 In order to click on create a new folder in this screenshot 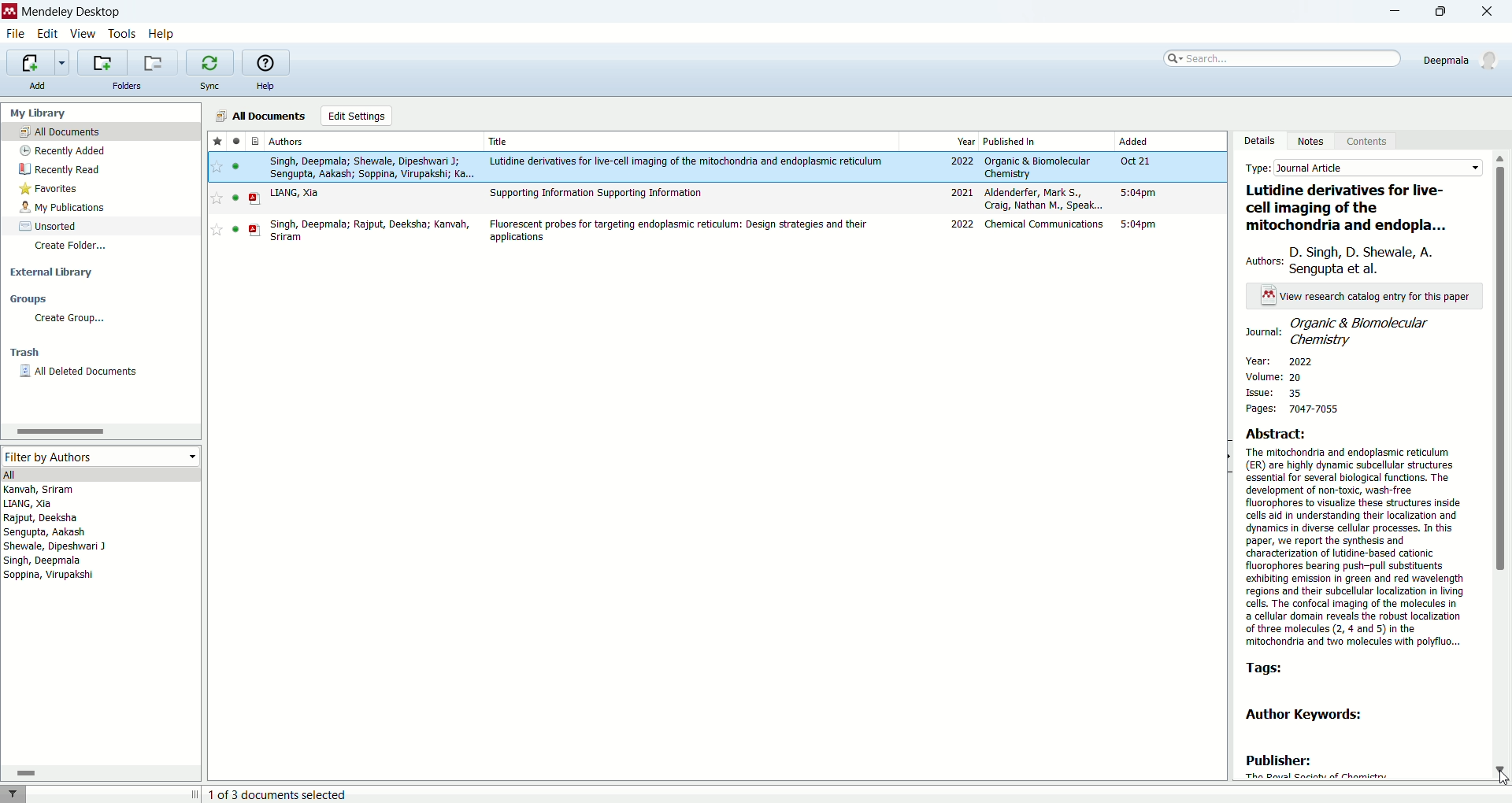, I will do `click(101, 62)`.